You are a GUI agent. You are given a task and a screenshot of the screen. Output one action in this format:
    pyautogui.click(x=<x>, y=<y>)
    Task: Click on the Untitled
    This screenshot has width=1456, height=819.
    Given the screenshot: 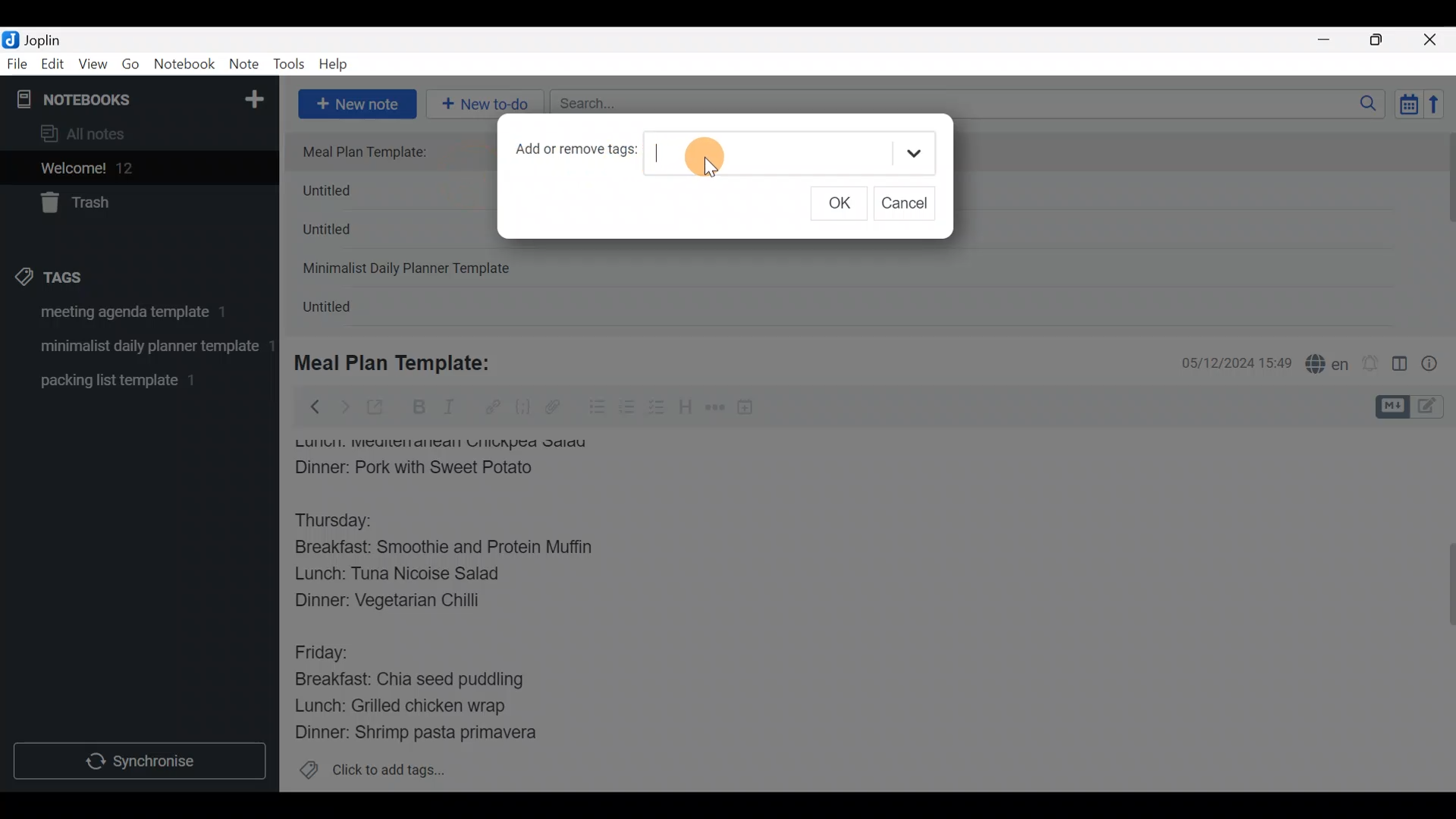 What is the action you would take?
    pyautogui.click(x=344, y=310)
    